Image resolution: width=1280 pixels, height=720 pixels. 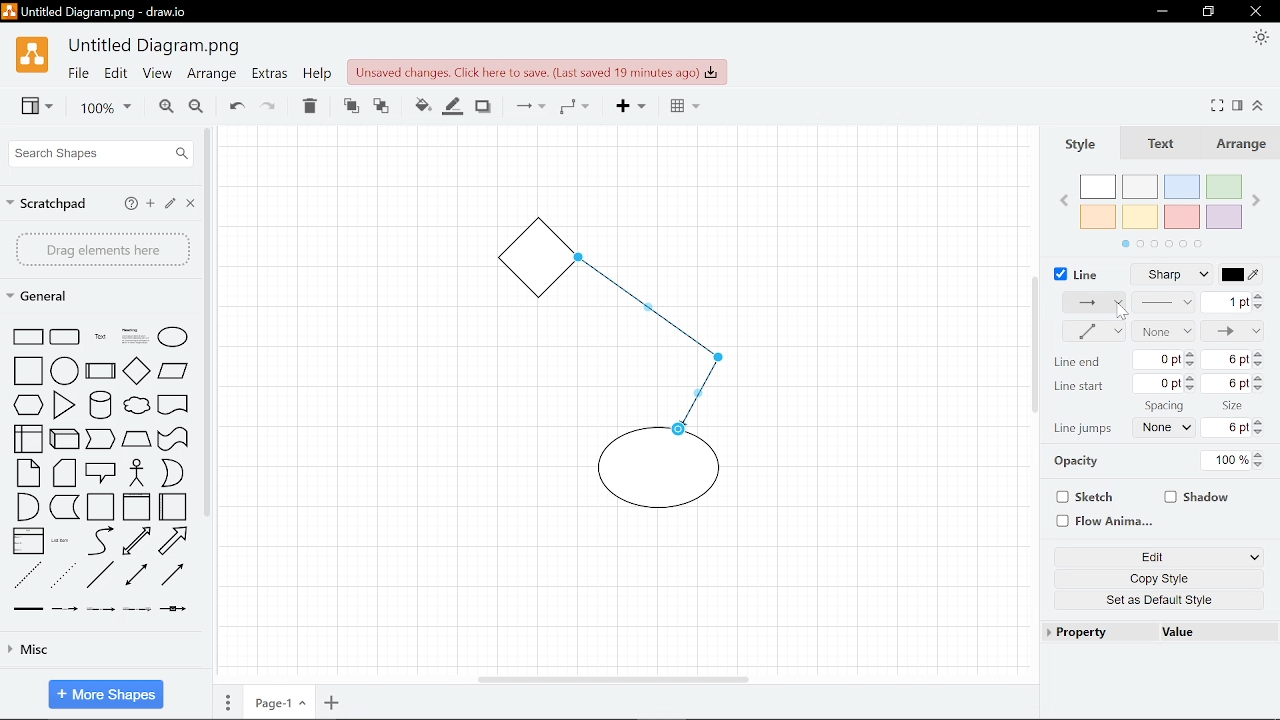 What do you see at coordinates (1094, 304) in the screenshot?
I see `pattern` at bounding box center [1094, 304].